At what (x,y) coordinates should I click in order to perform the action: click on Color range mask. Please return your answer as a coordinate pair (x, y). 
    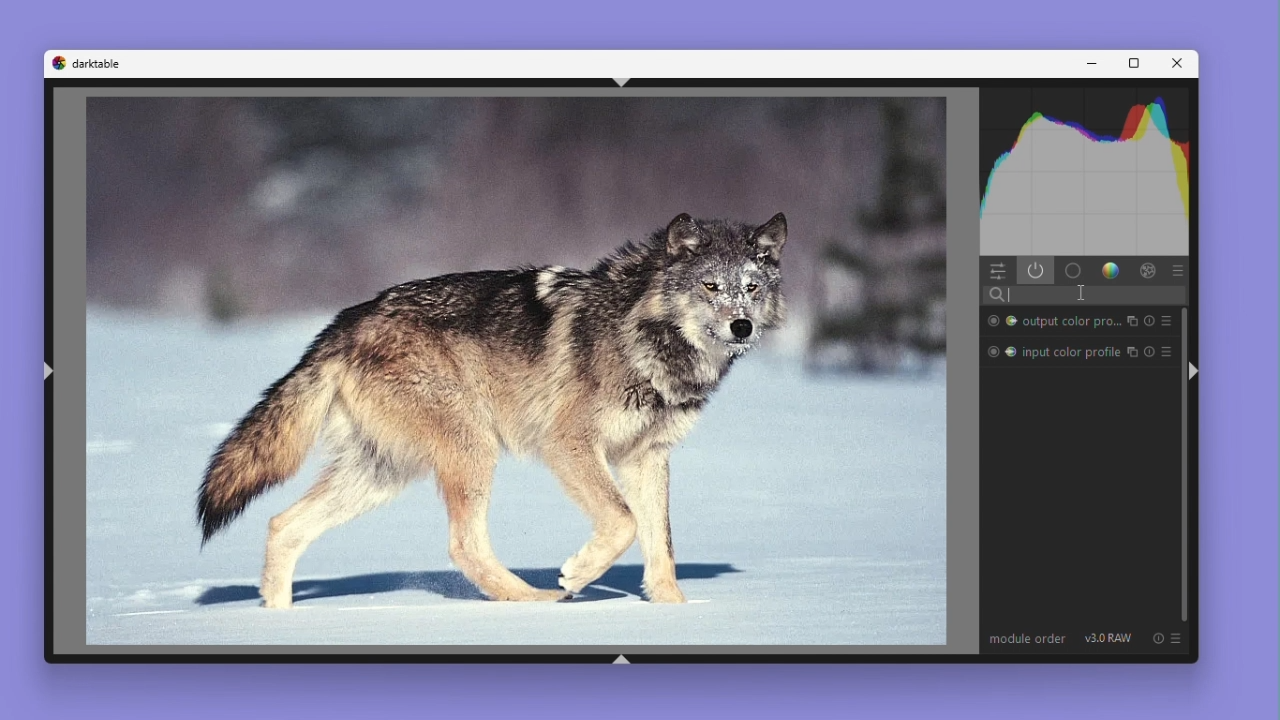
    Looking at the image, I should click on (1013, 321).